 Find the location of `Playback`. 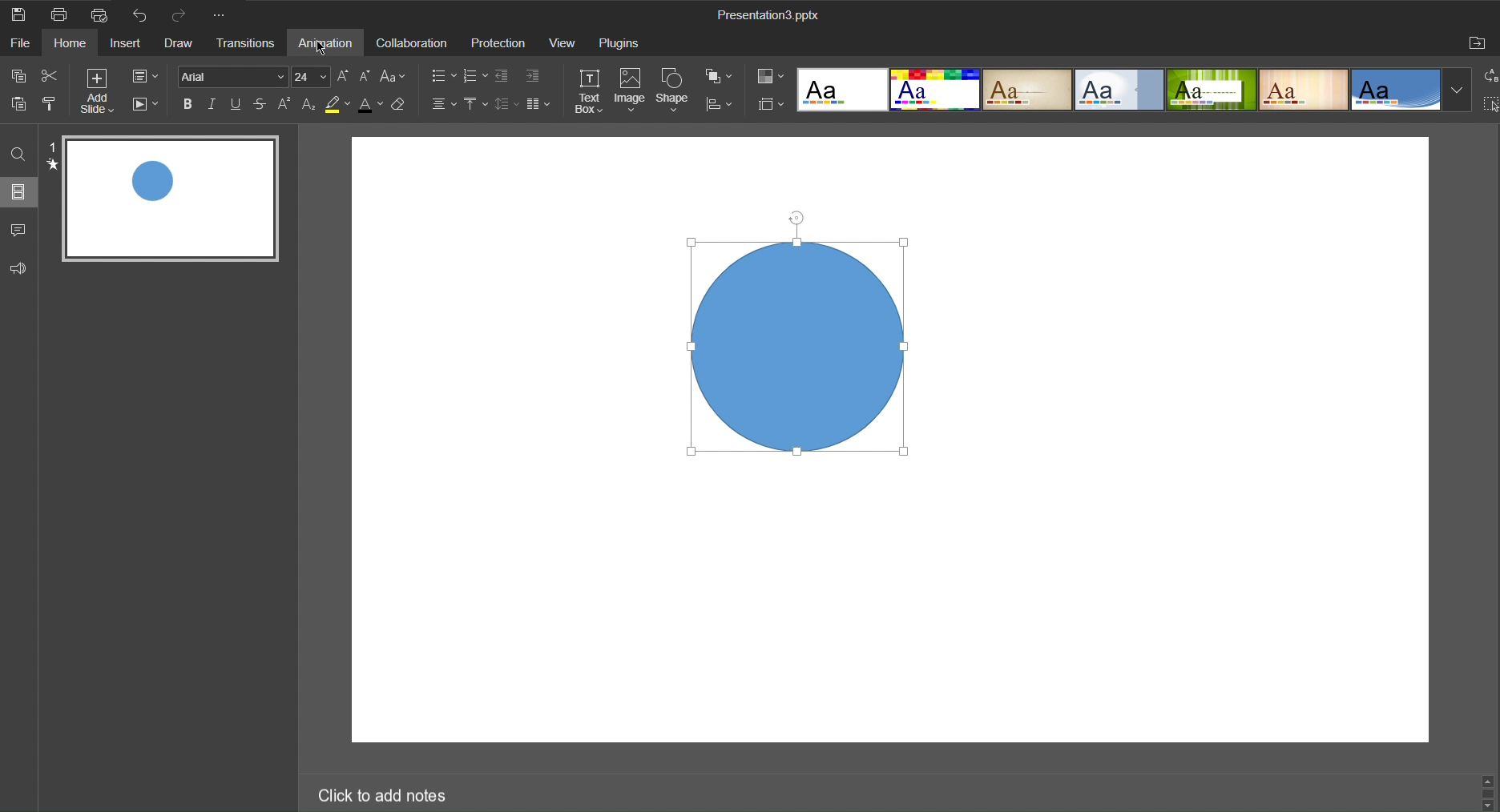

Playback is located at coordinates (147, 107).